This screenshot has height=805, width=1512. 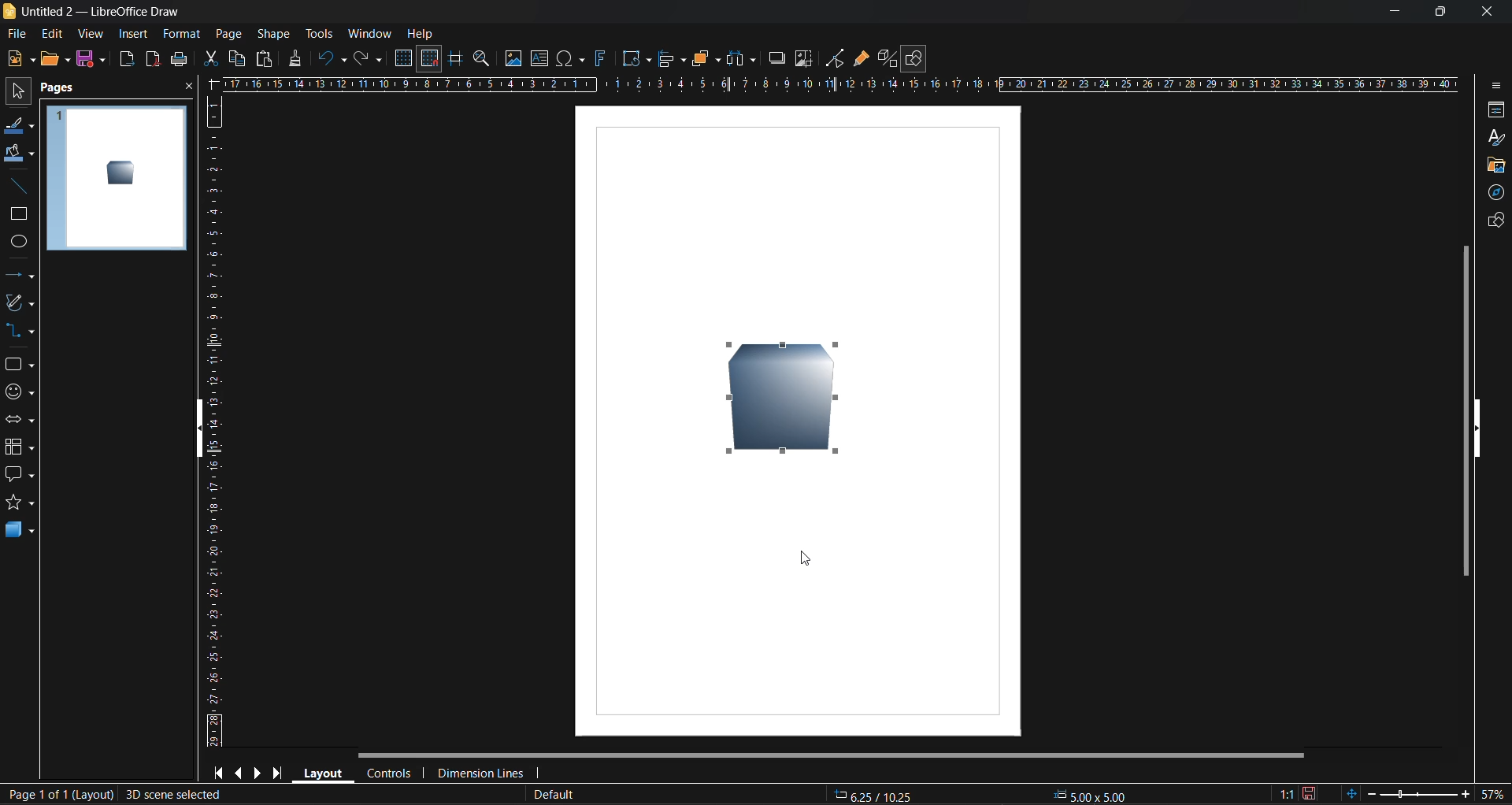 What do you see at coordinates (22, 33) in the screenshot?
I see `file` at bounding box center [22, 33].